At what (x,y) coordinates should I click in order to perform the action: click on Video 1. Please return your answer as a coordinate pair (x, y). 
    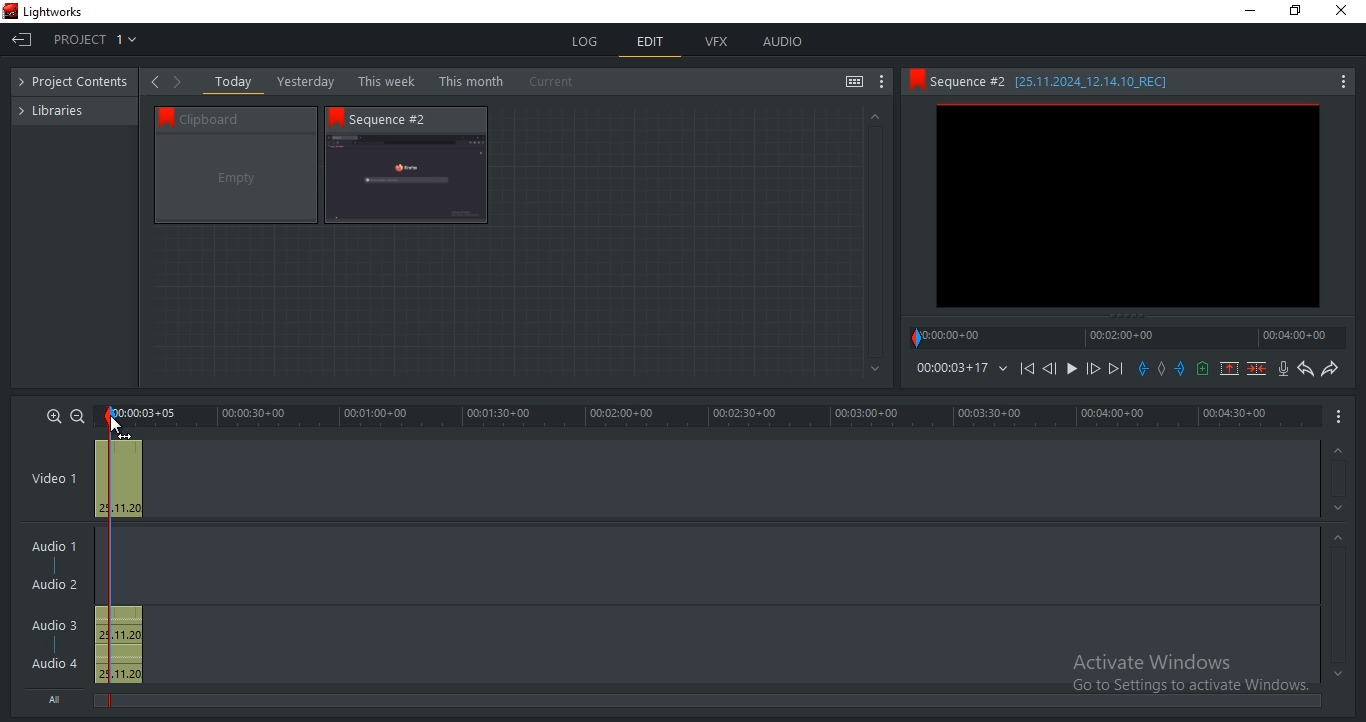
    Looking at the image, I should click on (54, 480).